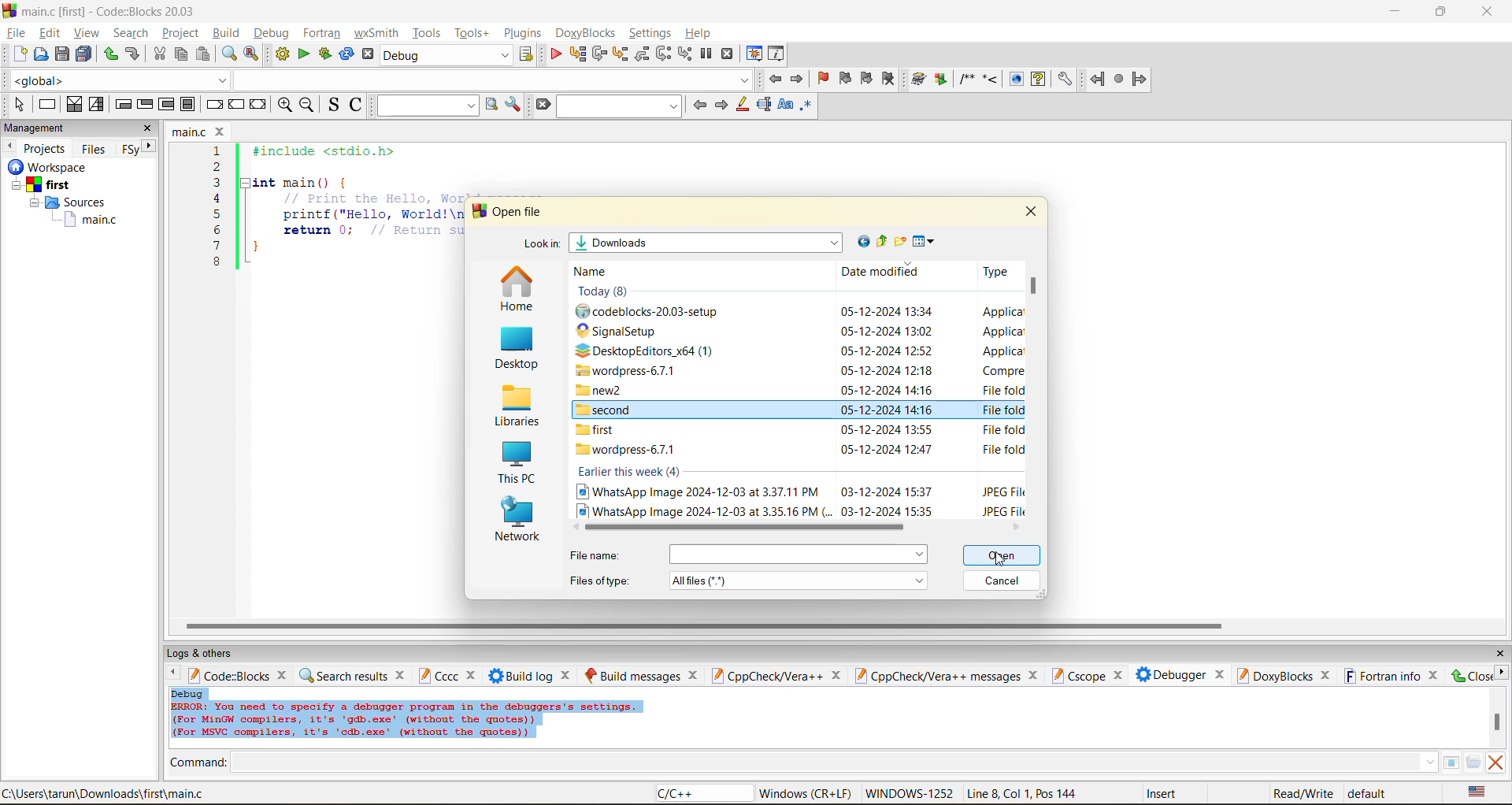  I want to click on run search, so click(491, 105).